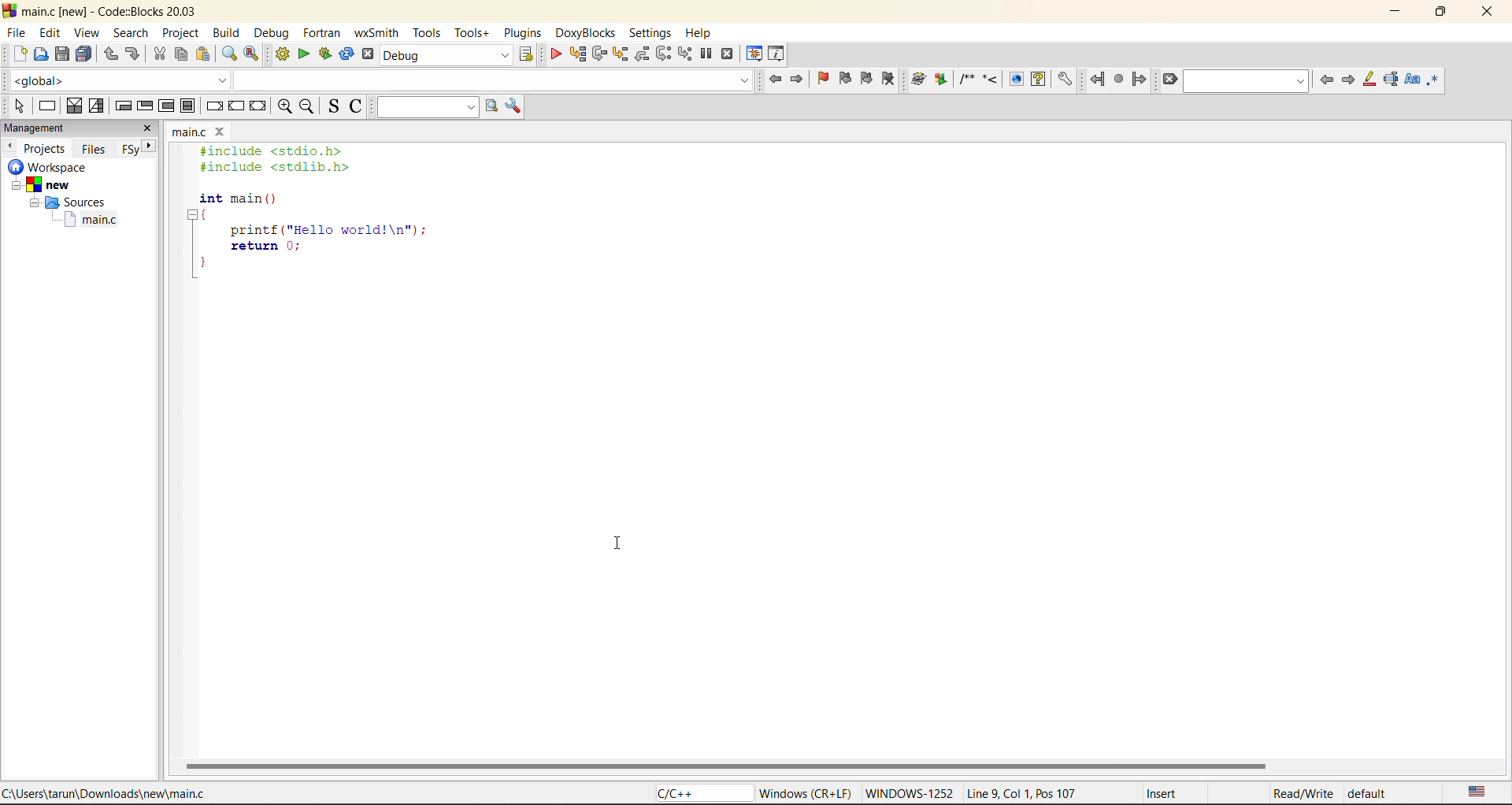  Describe the element at coordinates (75, 106) in the screenshot. I see `decision` at that location.